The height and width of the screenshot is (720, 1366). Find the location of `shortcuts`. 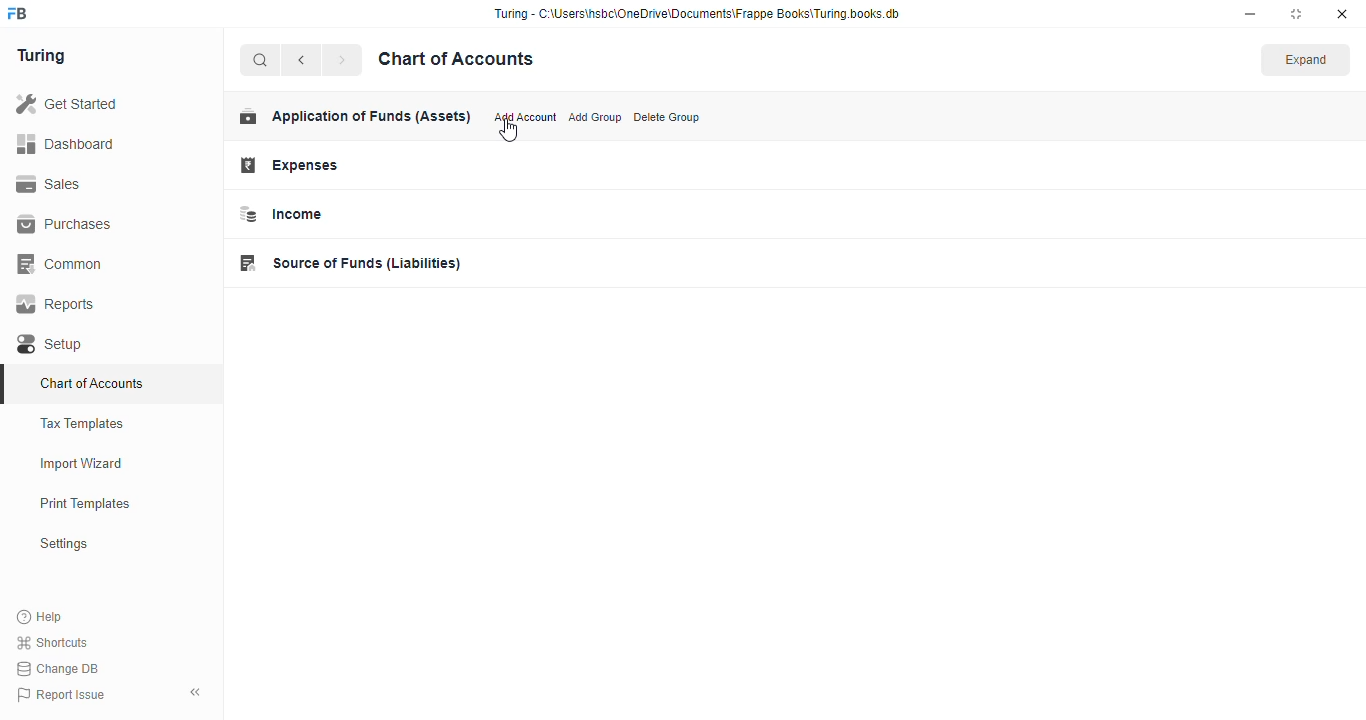

shortcuts is located at coordinates (53, 642).